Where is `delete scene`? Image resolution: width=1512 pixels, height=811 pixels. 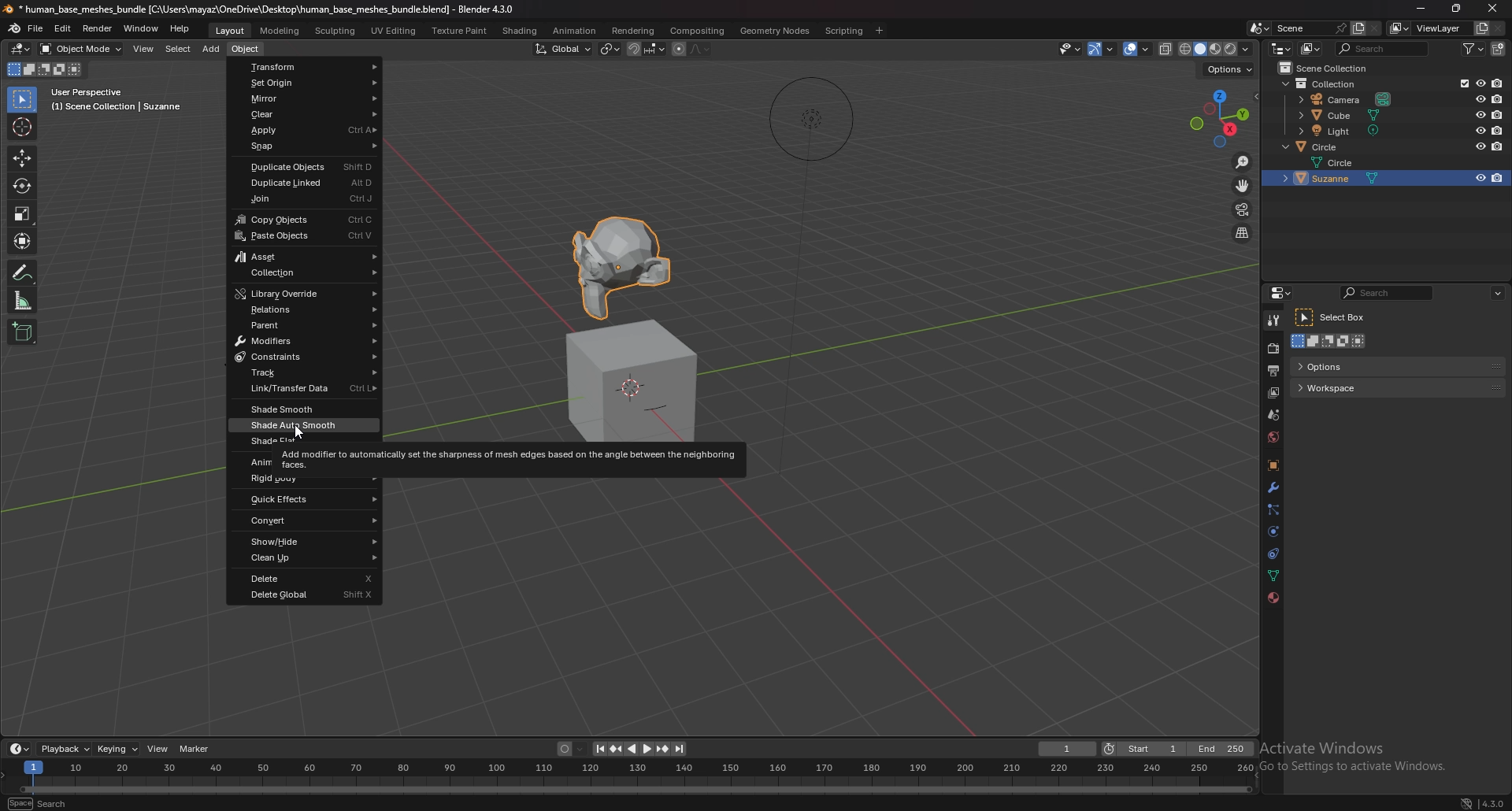
delete scene is located at coordinates (1377, 28).